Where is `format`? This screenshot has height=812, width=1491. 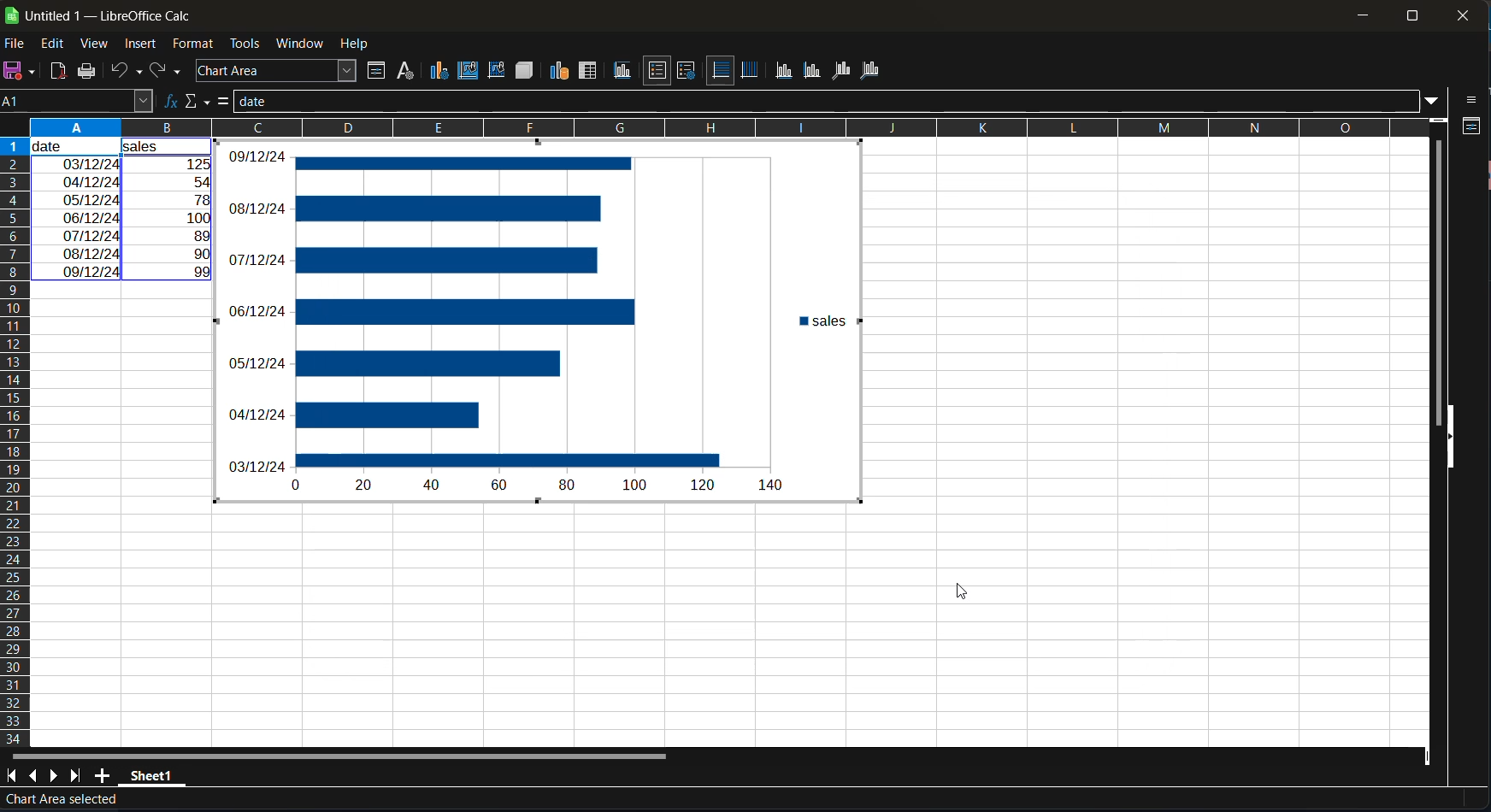 format is located at coordinates (195, 44).